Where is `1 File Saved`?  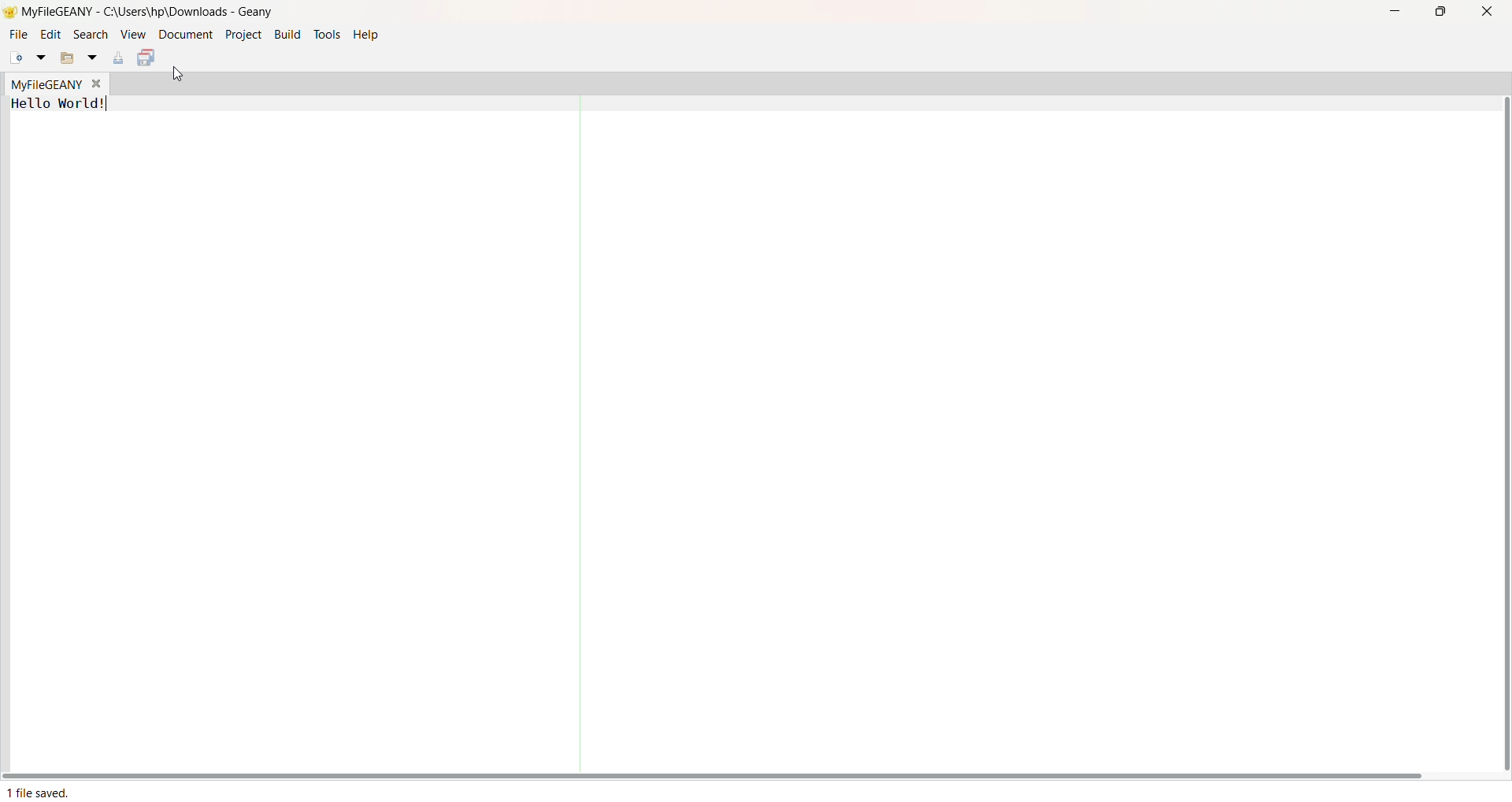
1 File Saved is located at coordinates (46, 794).